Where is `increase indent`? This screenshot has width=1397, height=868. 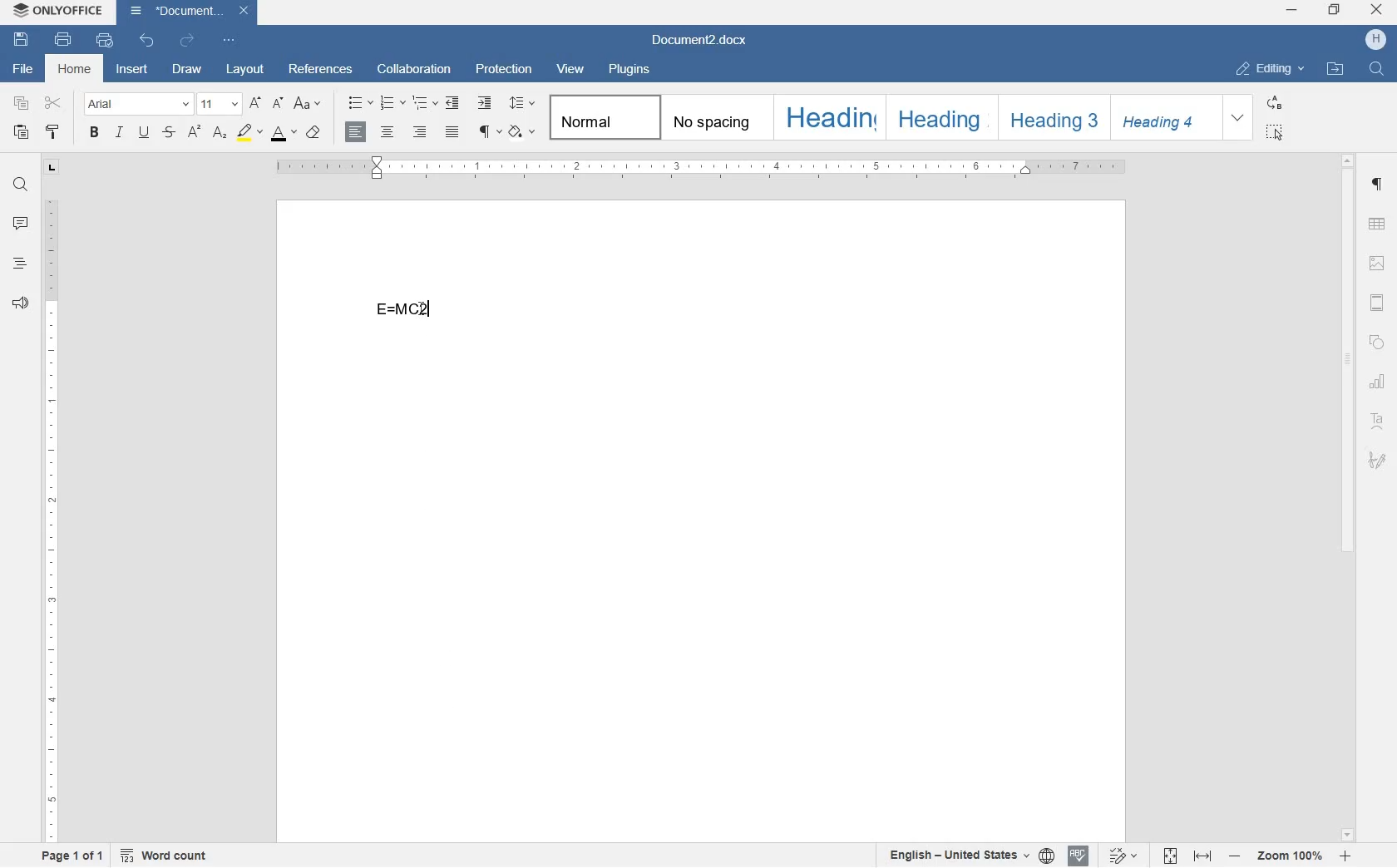
increase indent is located at coordinates (484, 102).